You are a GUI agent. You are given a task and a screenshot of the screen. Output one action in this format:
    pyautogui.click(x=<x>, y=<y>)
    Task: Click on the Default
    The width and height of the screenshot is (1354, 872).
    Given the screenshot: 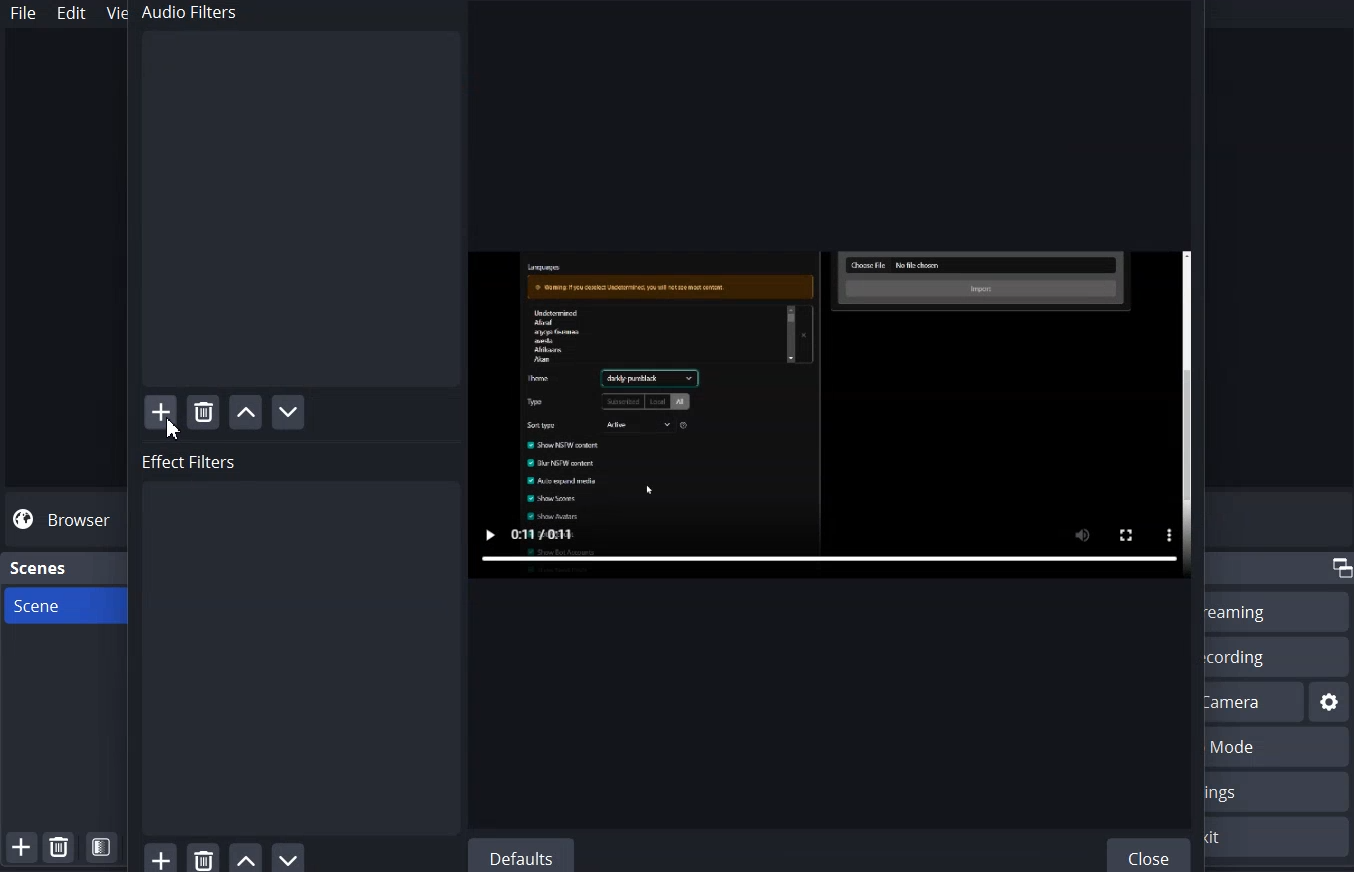 What is the action you would take?
    pyautogui.click(x=520, y=855)
    